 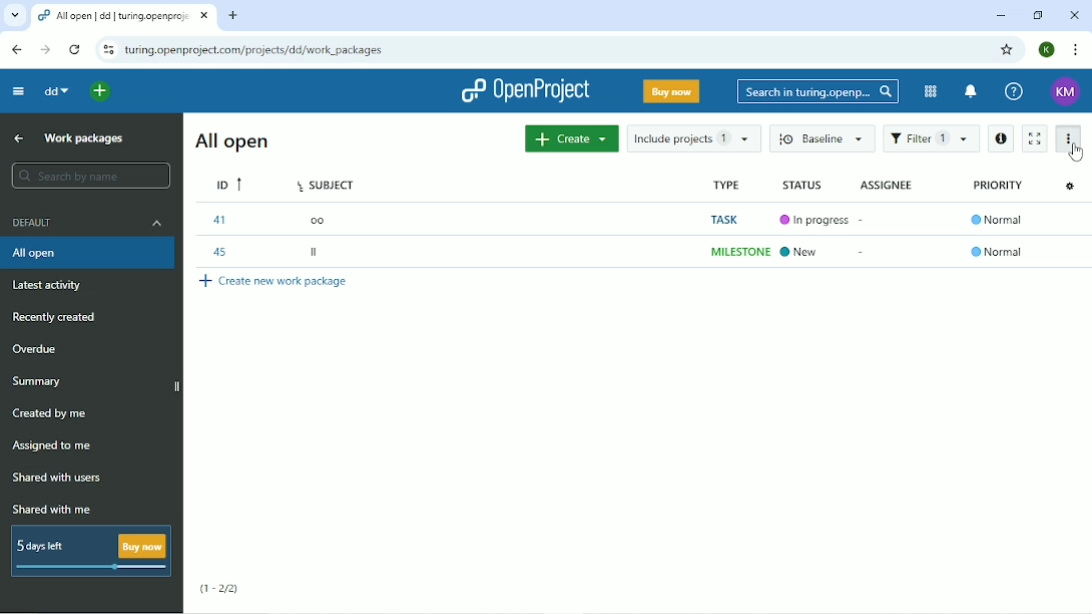 What do you see at coordinates (1070, 185) in the screenshot?
I see `Configure view` at bounding box center [1070, 185].